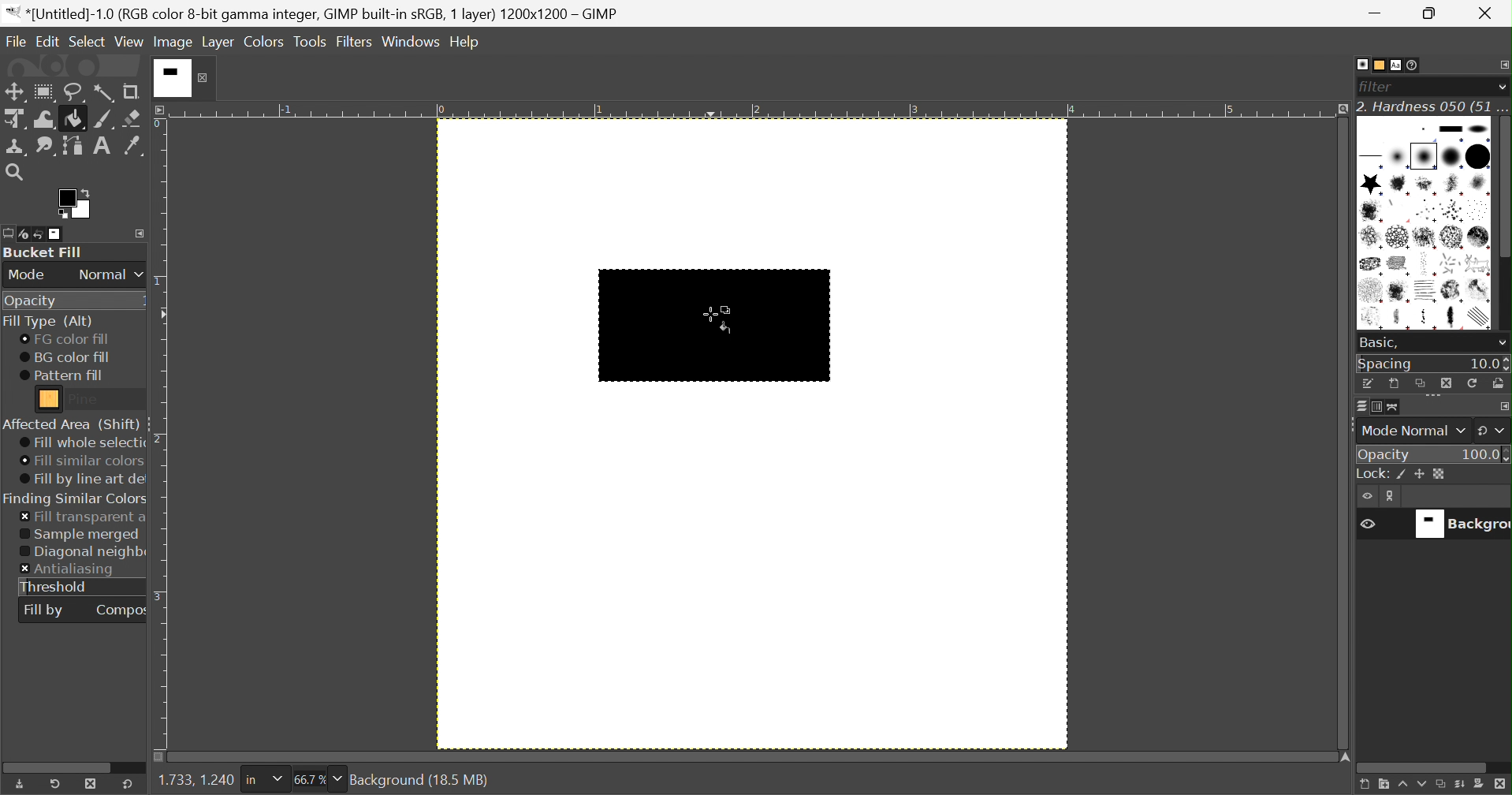 The height and width of the screenshot is (795, 1512). What do you see at coordinates (1371, 184) in the screenshot?
I see `Star` at bounding box center [1371, 184].